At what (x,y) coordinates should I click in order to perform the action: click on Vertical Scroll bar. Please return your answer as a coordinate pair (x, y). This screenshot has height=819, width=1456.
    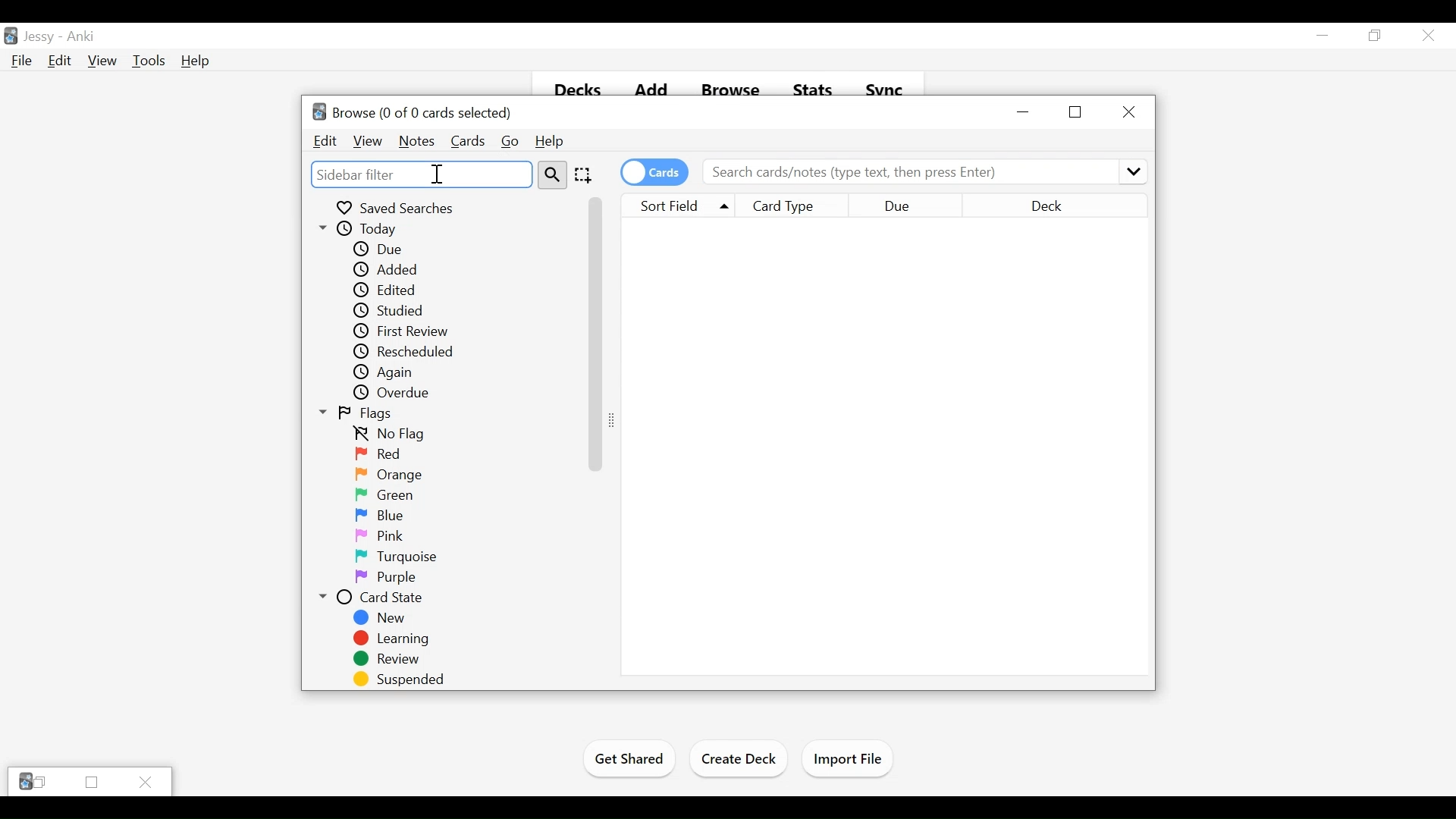
    Looking at the image, I should click on (593, 332).